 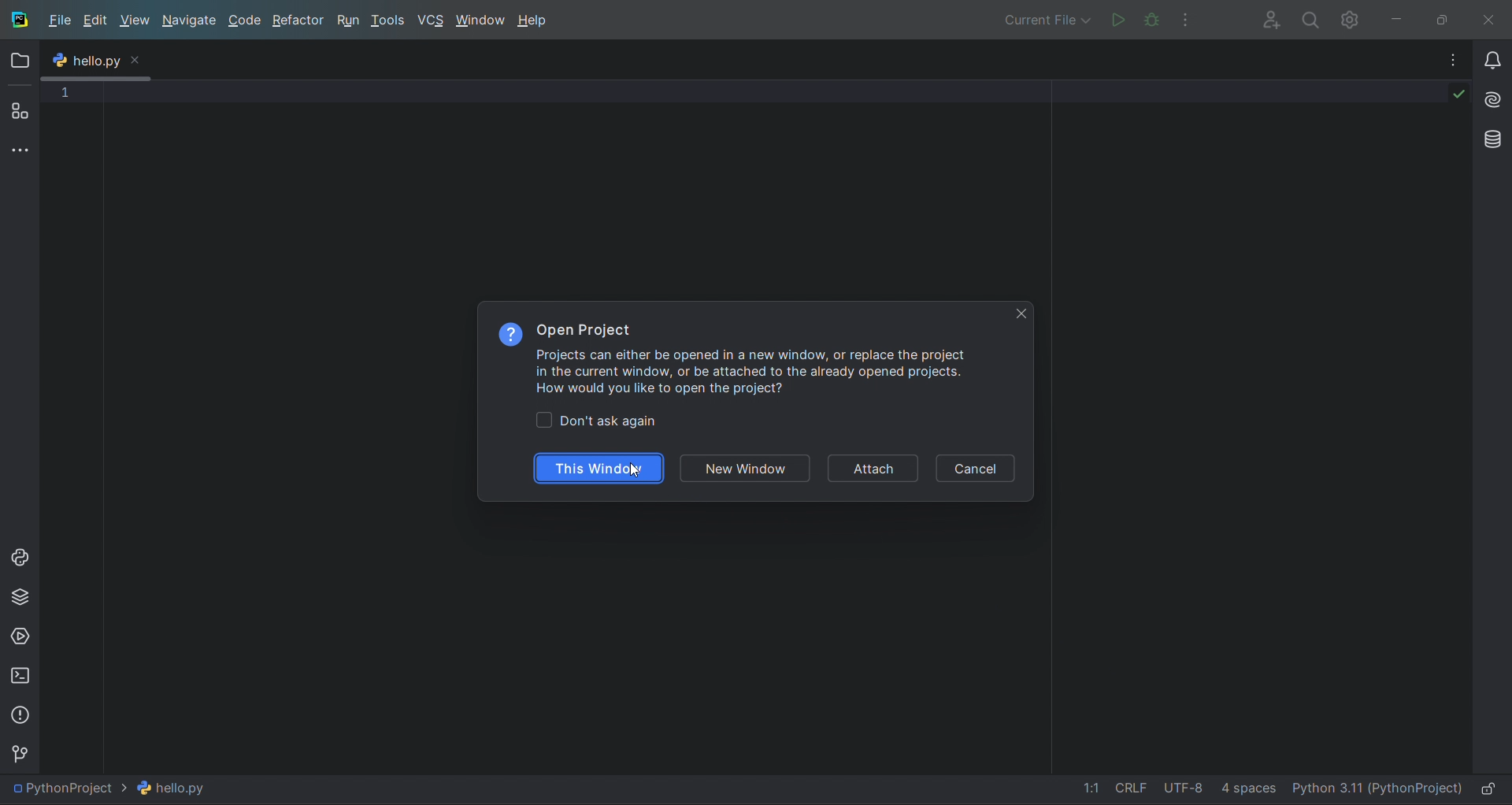 I want to click on notifications, so click(x=1489, y=54).